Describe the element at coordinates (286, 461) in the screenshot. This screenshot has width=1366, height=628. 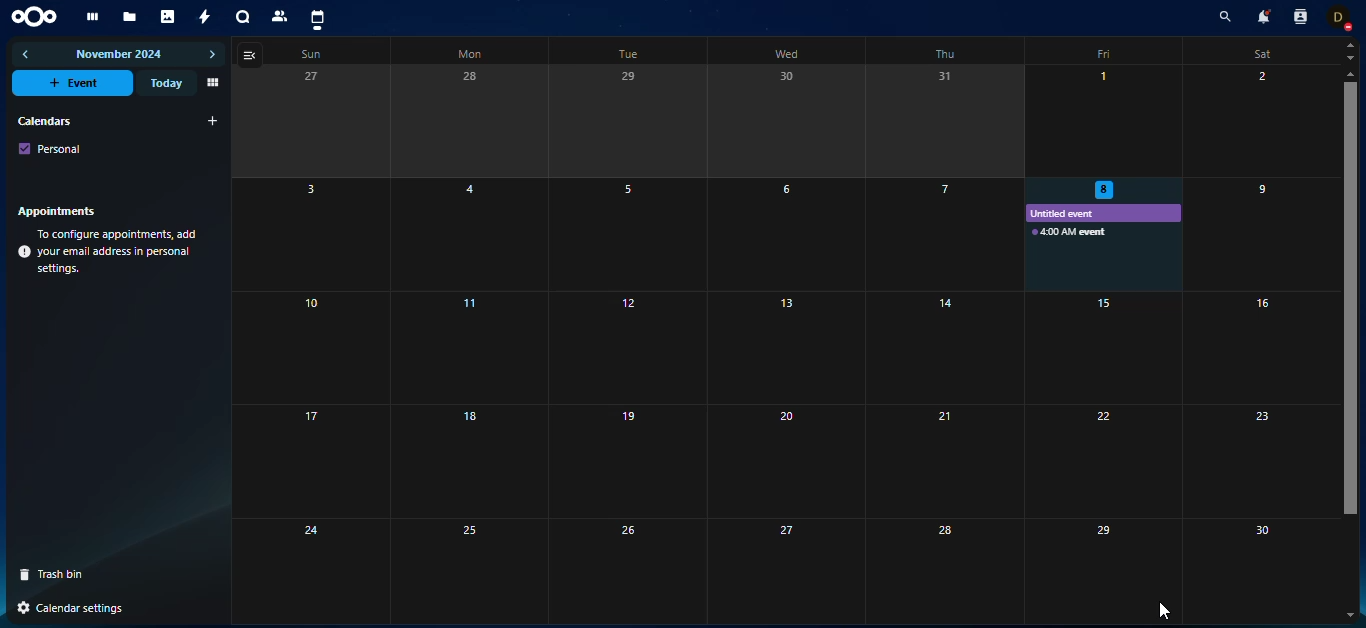
I see `17` at that location.